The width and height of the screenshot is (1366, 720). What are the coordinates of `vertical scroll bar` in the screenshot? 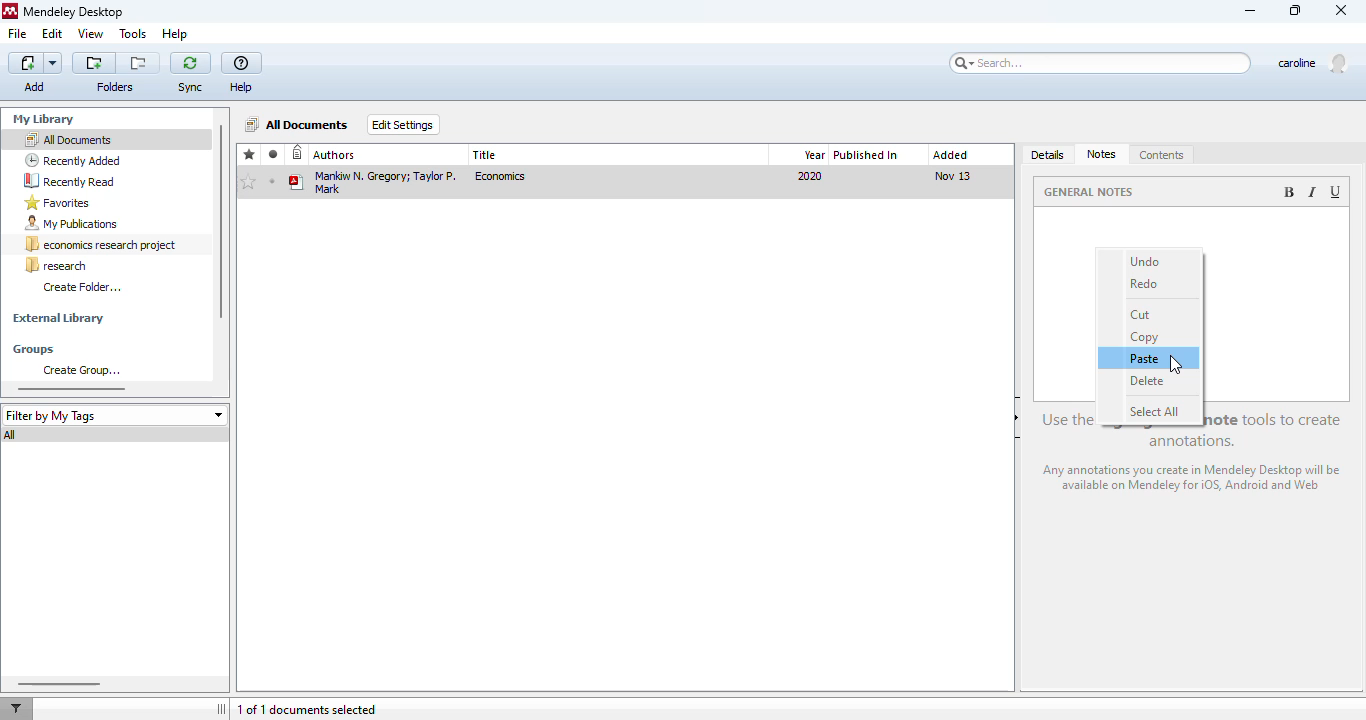 It's located at (220, 222).